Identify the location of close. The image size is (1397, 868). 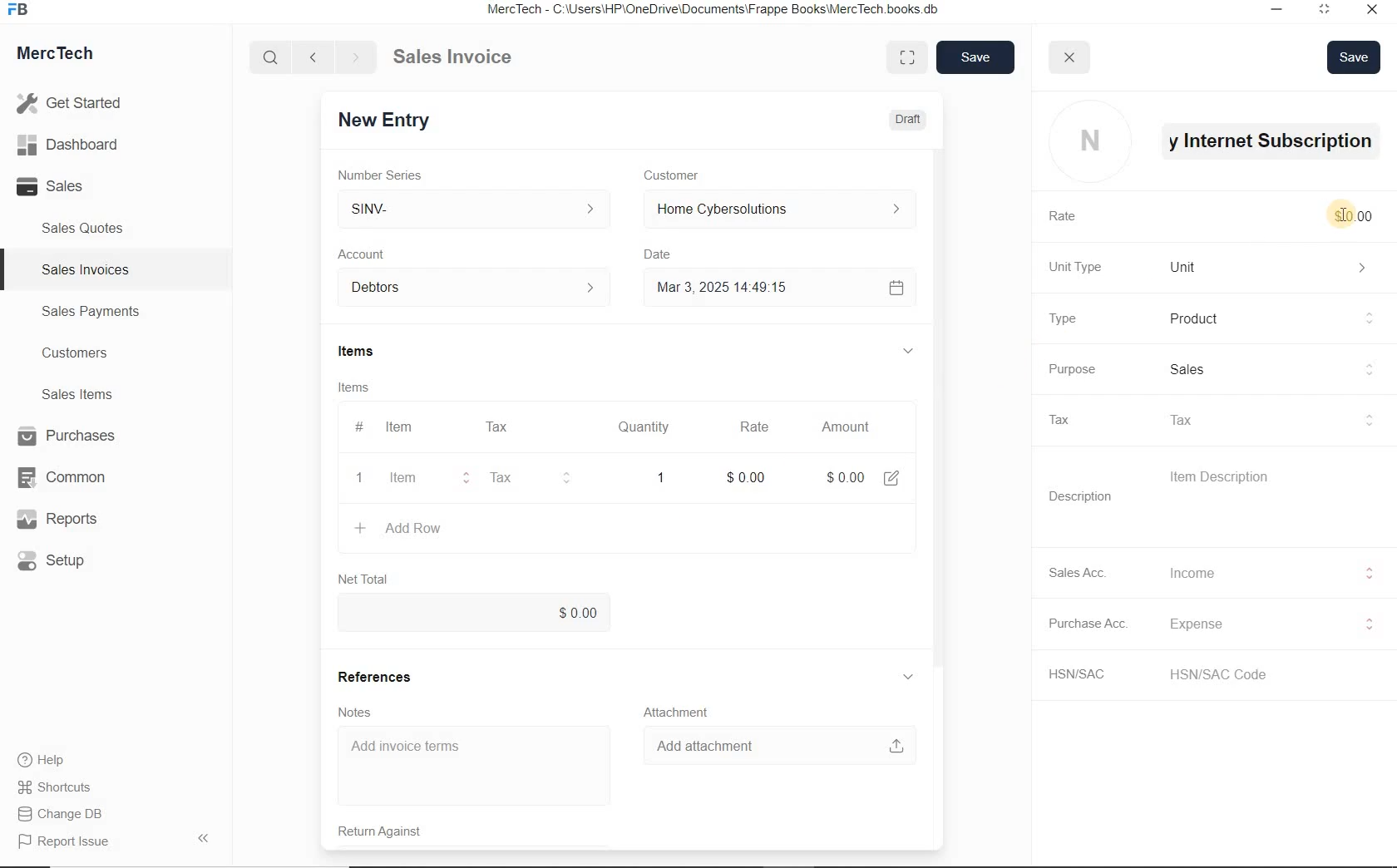
(1069, 57).